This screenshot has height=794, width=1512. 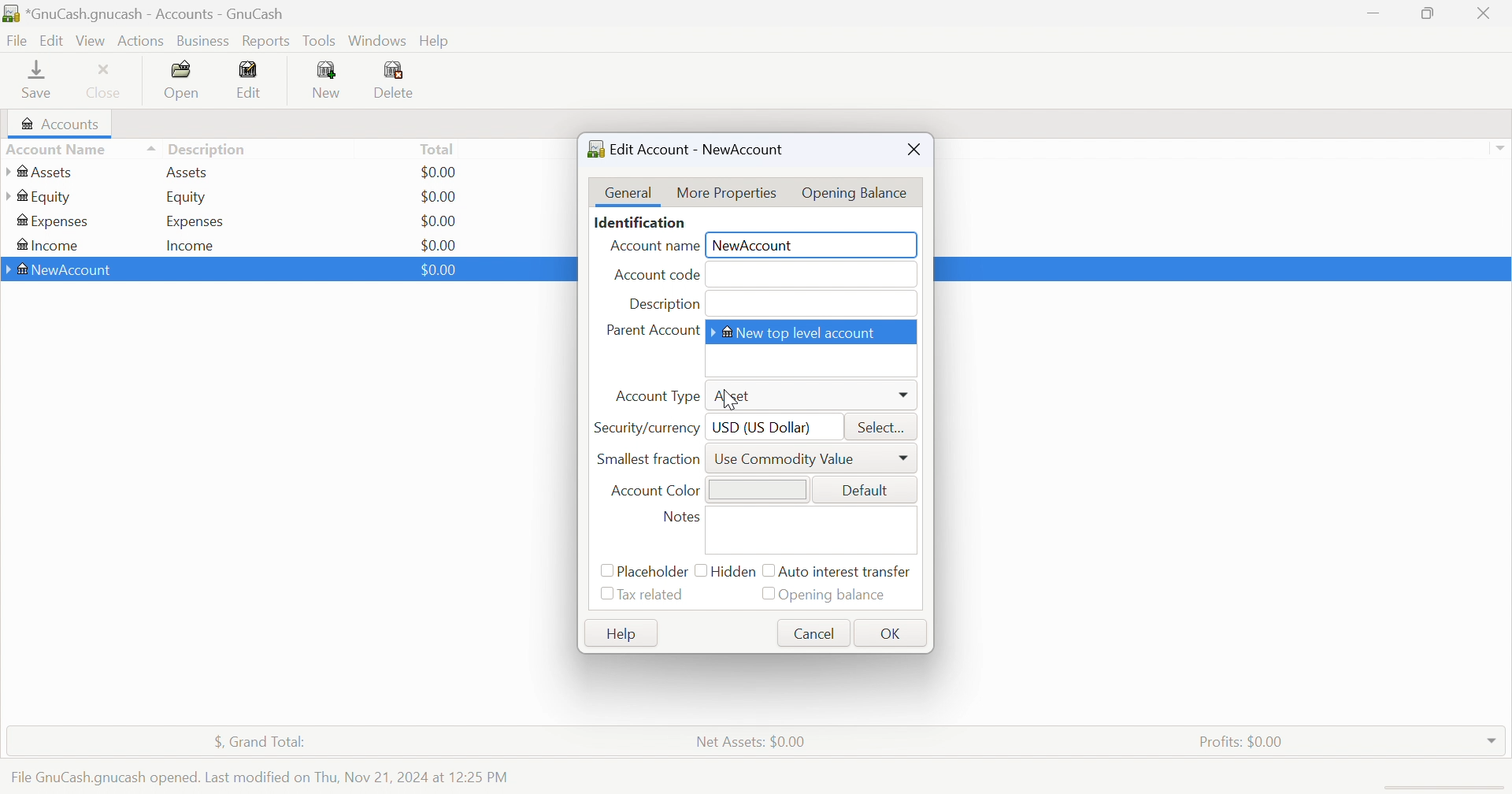 I want to click on Drop Down, so click(x=906, y=396).